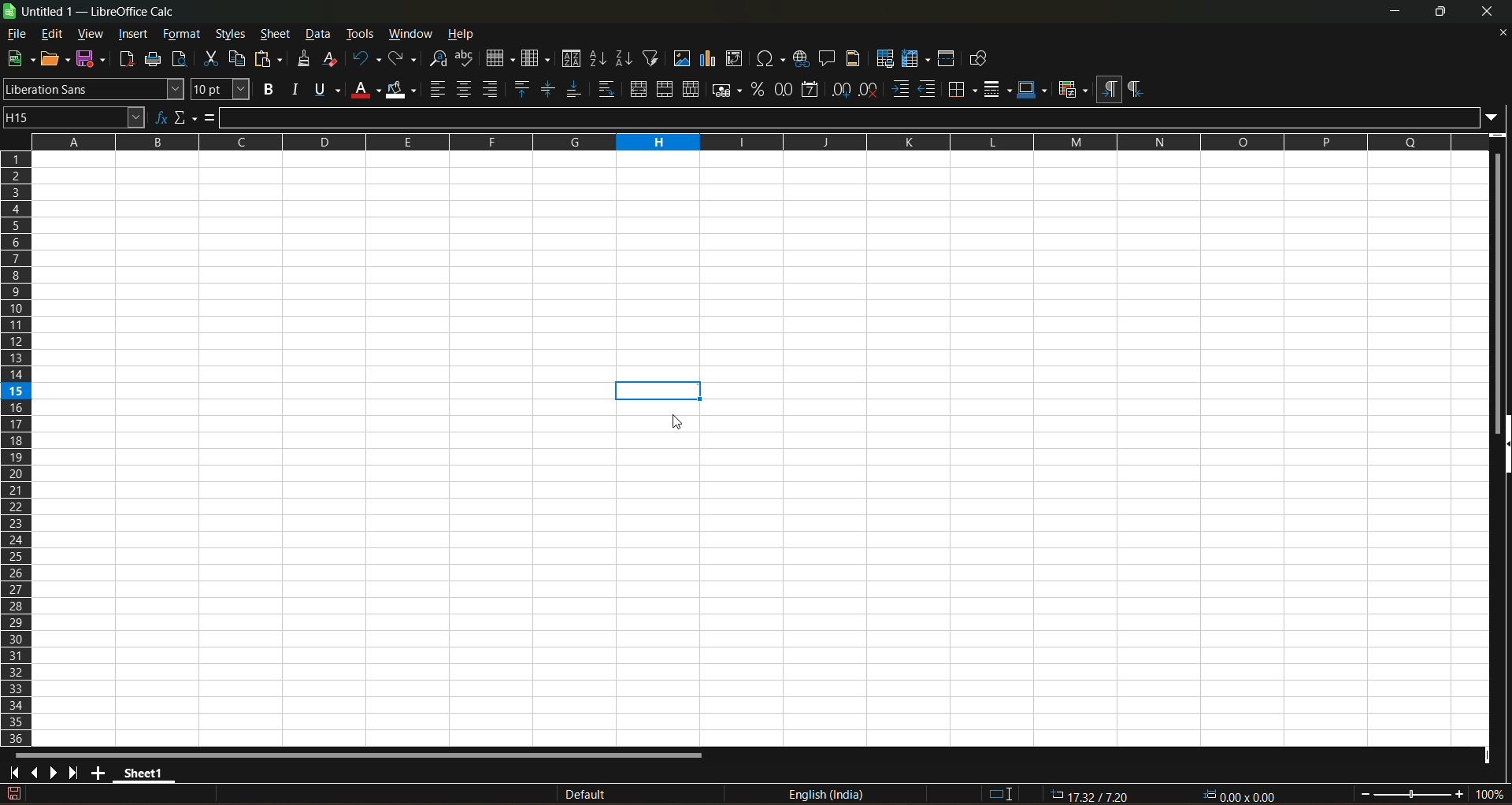 This screenshot has height=805, width=1512. I want to click on format as currency, so click(726, 90).